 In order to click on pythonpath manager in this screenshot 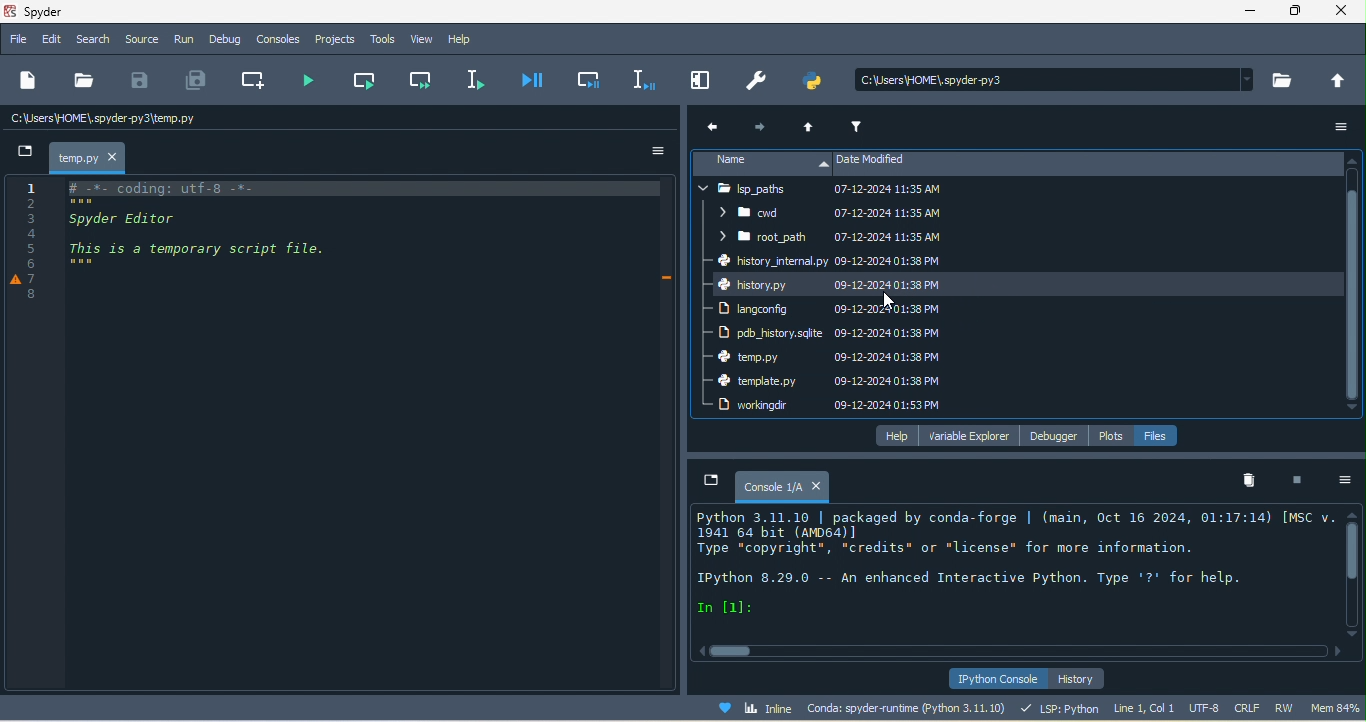, I will do `click(818, 80)`.